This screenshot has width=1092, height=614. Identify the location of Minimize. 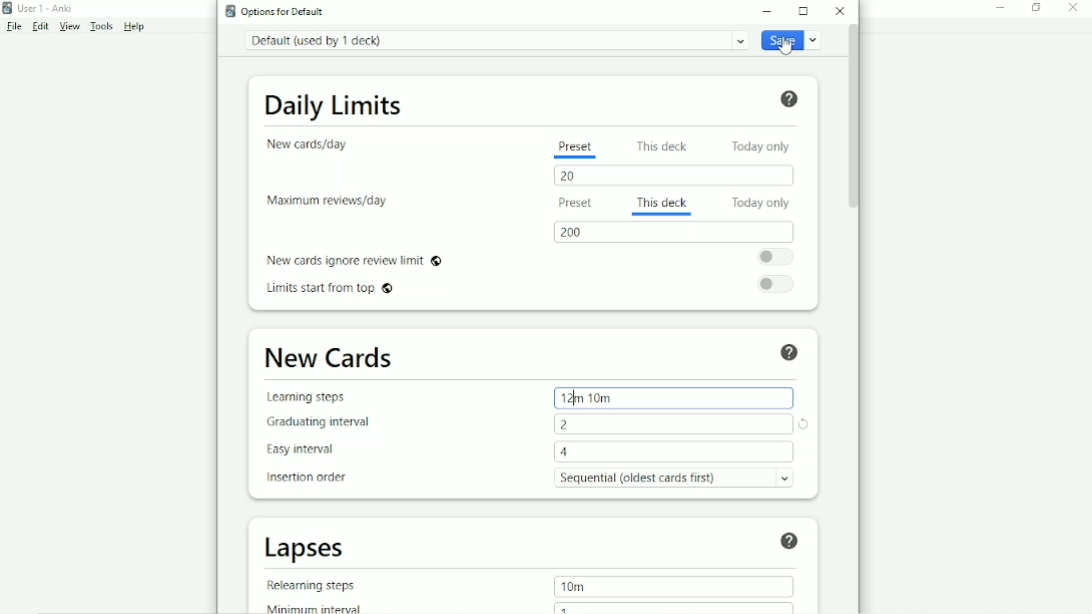
(771, 10).